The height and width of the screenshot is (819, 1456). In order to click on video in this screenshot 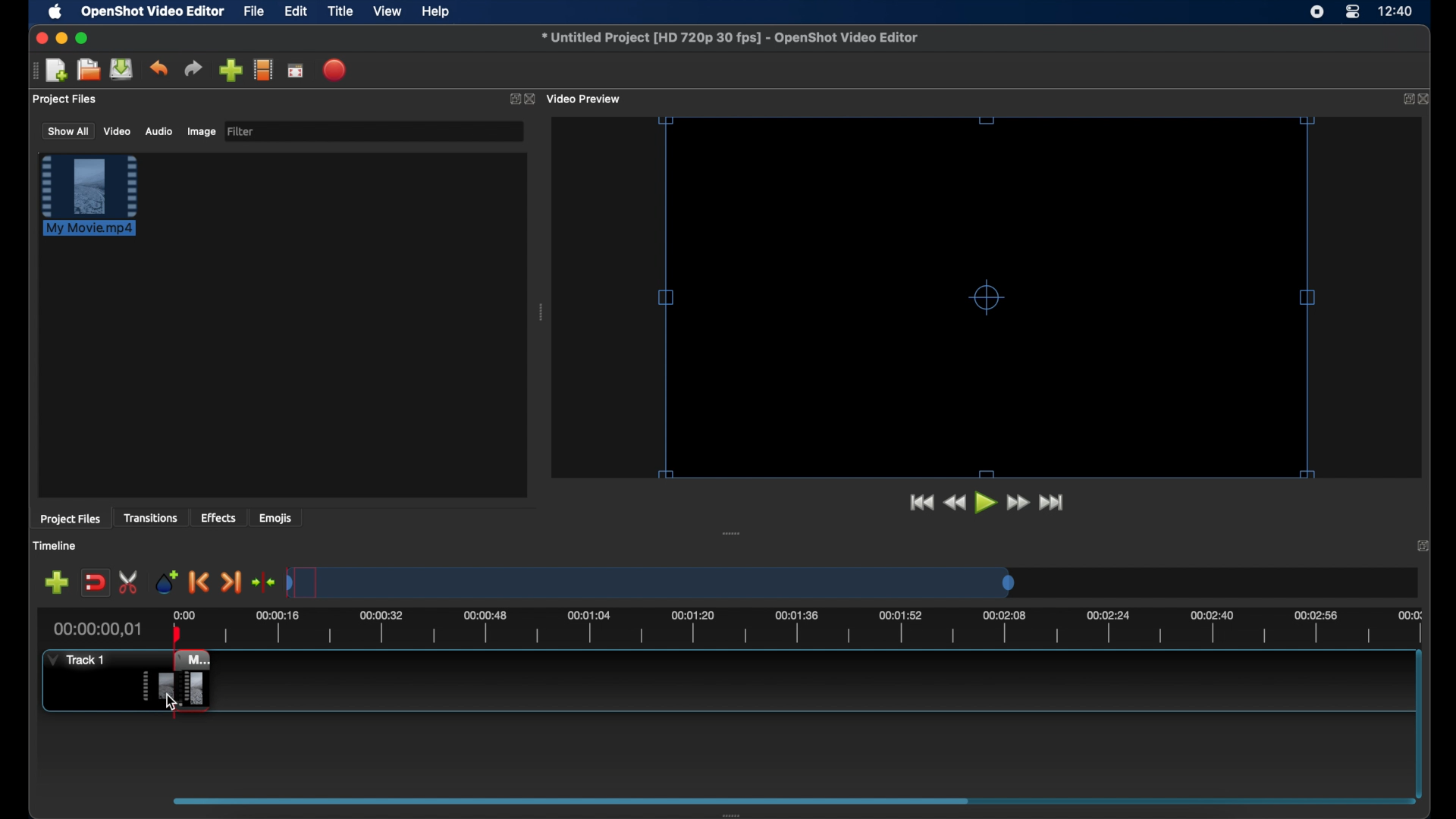, I will do `click(117, 132)`.